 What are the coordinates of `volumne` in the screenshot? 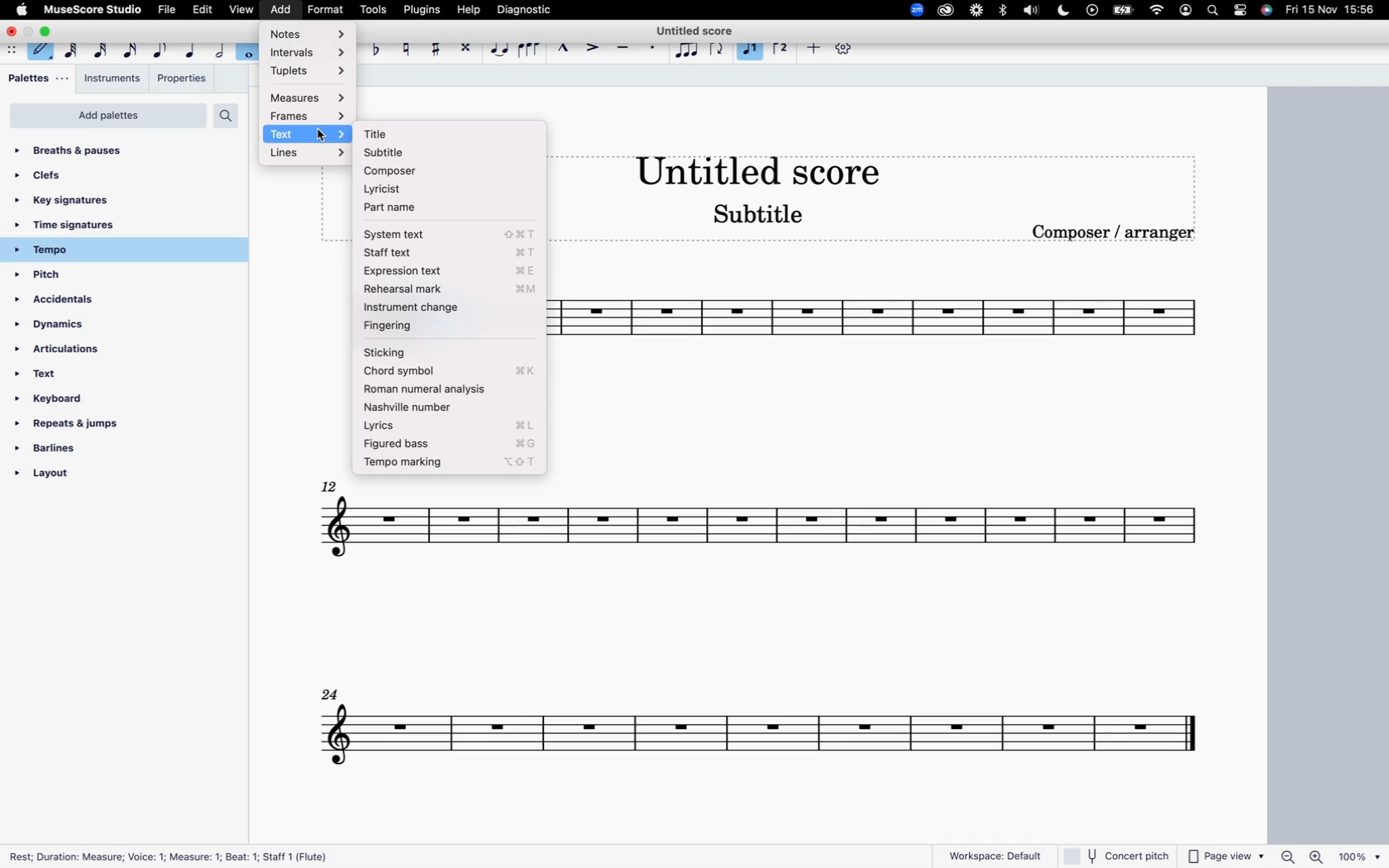 It's located at (1033, 11).